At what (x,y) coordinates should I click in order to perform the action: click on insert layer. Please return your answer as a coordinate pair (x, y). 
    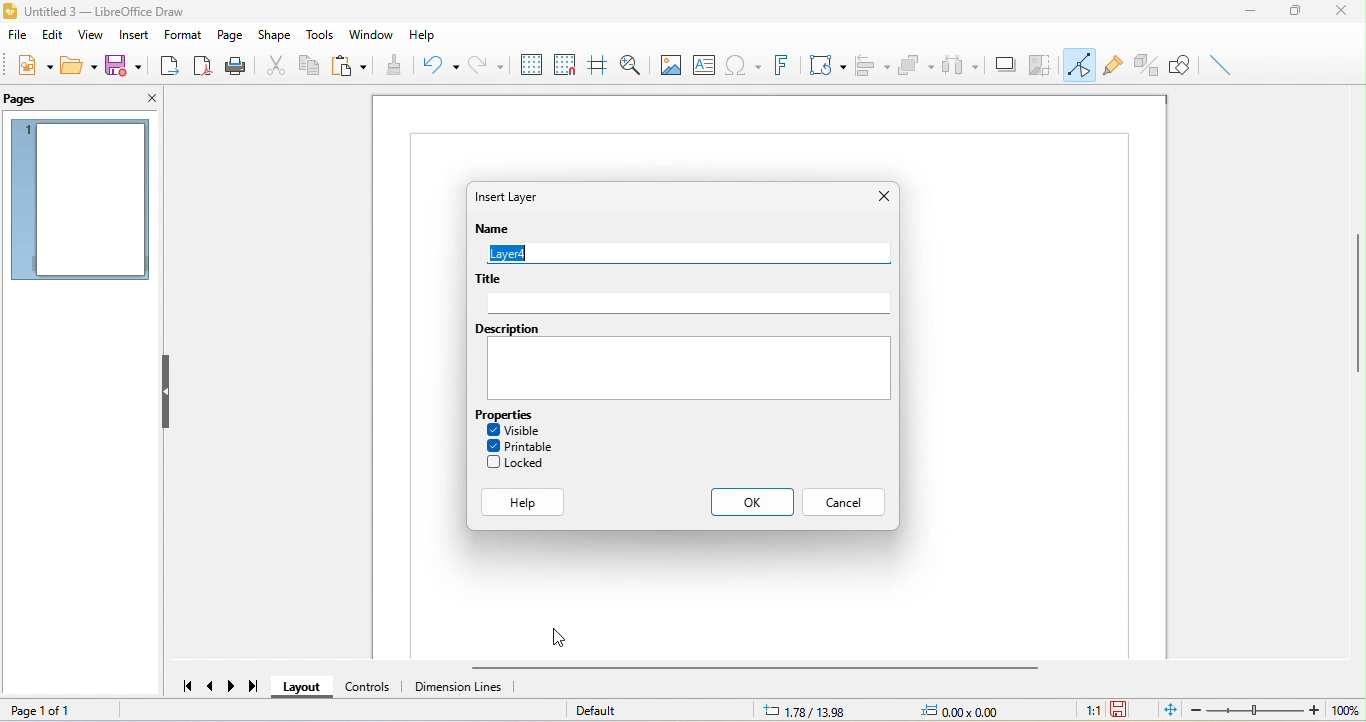
    Looking at the image, I should click on (520, 198).